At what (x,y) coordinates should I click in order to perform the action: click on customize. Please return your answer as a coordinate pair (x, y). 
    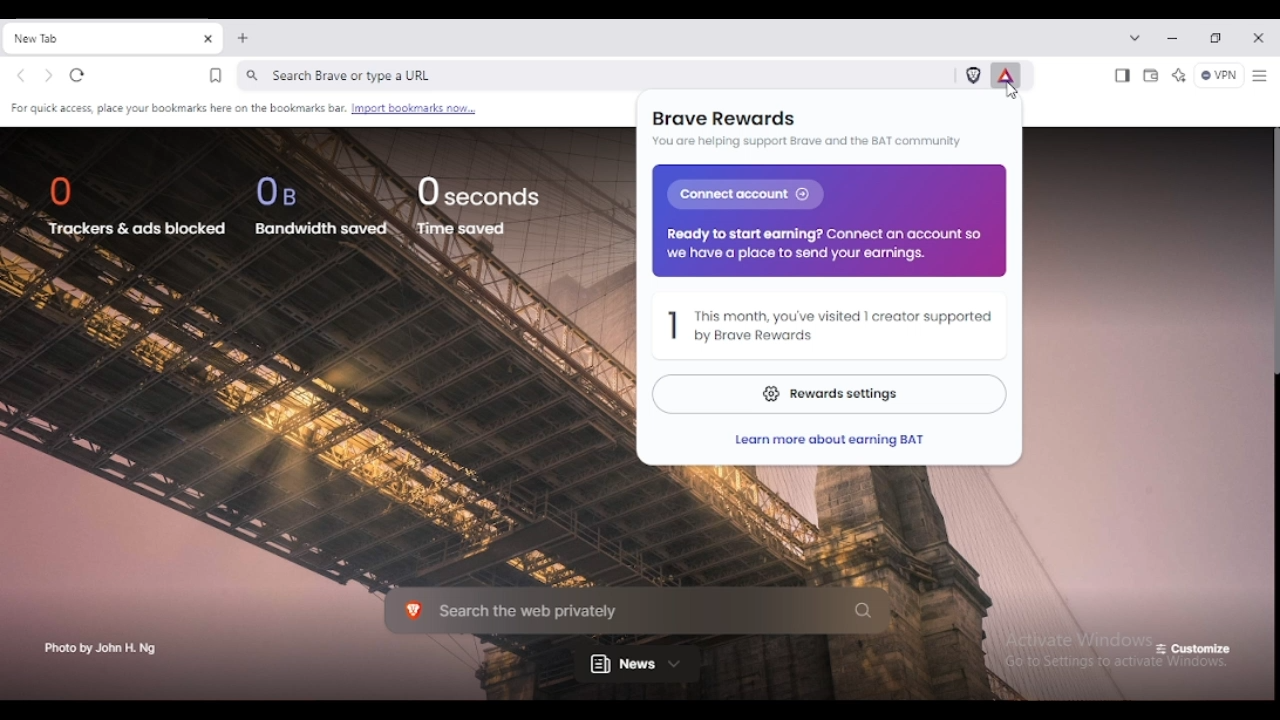
    Looking at the image, I should click on (1194, 650).